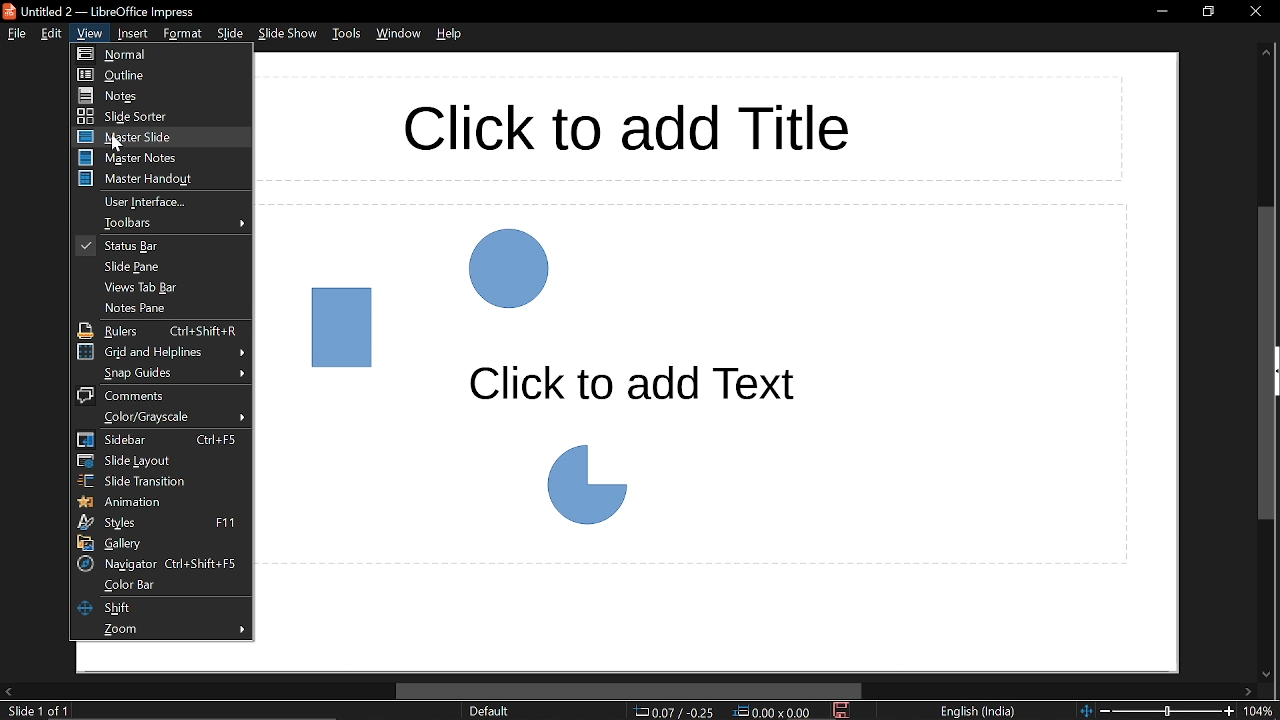 This screenshot has width=1280, height=720. I want to click on File, so click(14, 35).